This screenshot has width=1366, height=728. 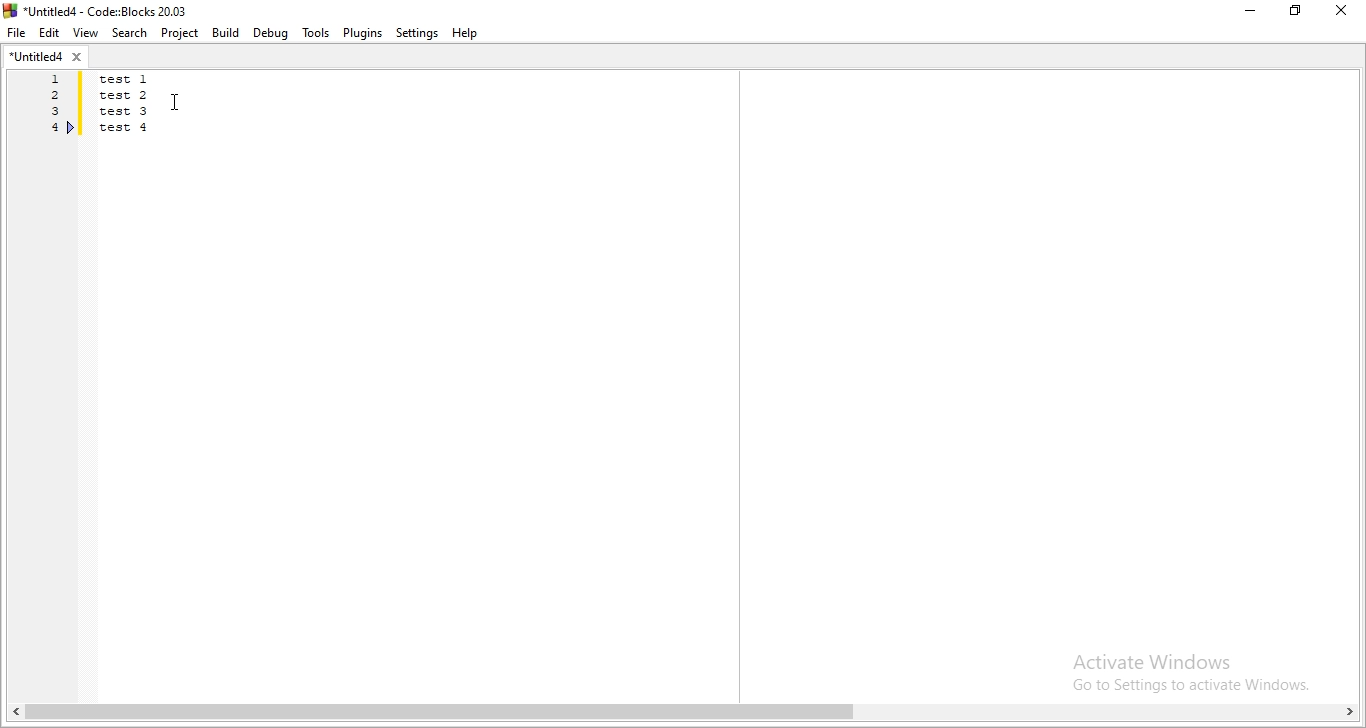 I want to click on Debug , so click(x=272, y=33).